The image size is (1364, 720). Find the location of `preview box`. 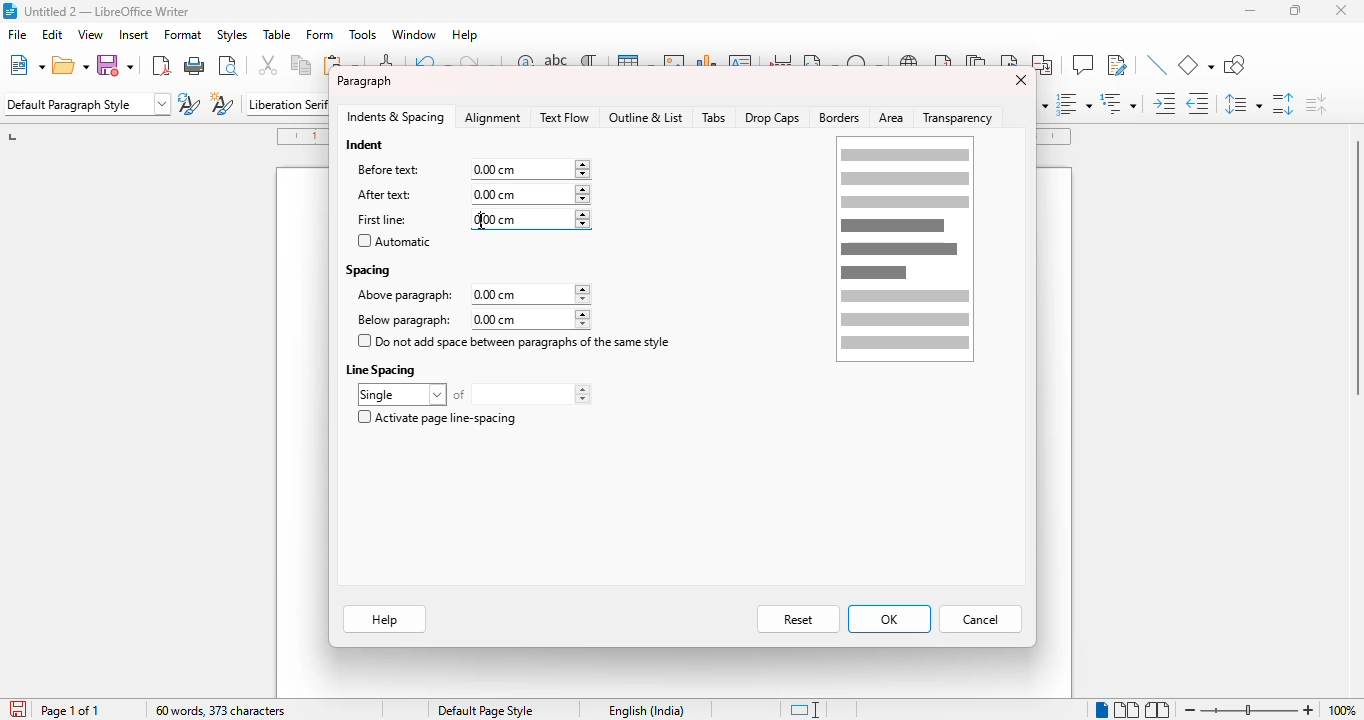

preview box is located at coordinates (905, 249).